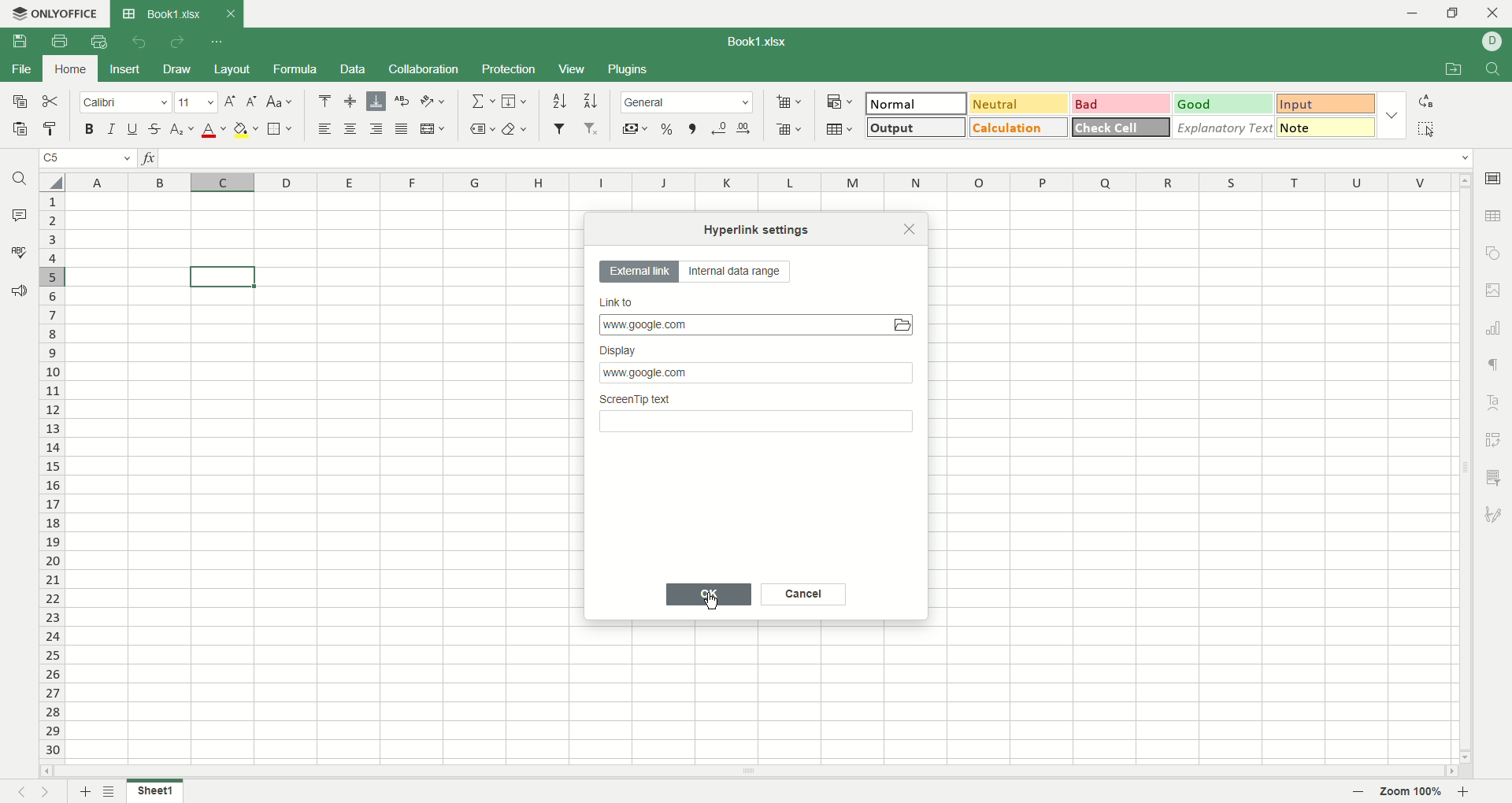  What do you see at coordinates (639, 272) in the screenshot?
I see `external link` at bounding box center [639, 272].